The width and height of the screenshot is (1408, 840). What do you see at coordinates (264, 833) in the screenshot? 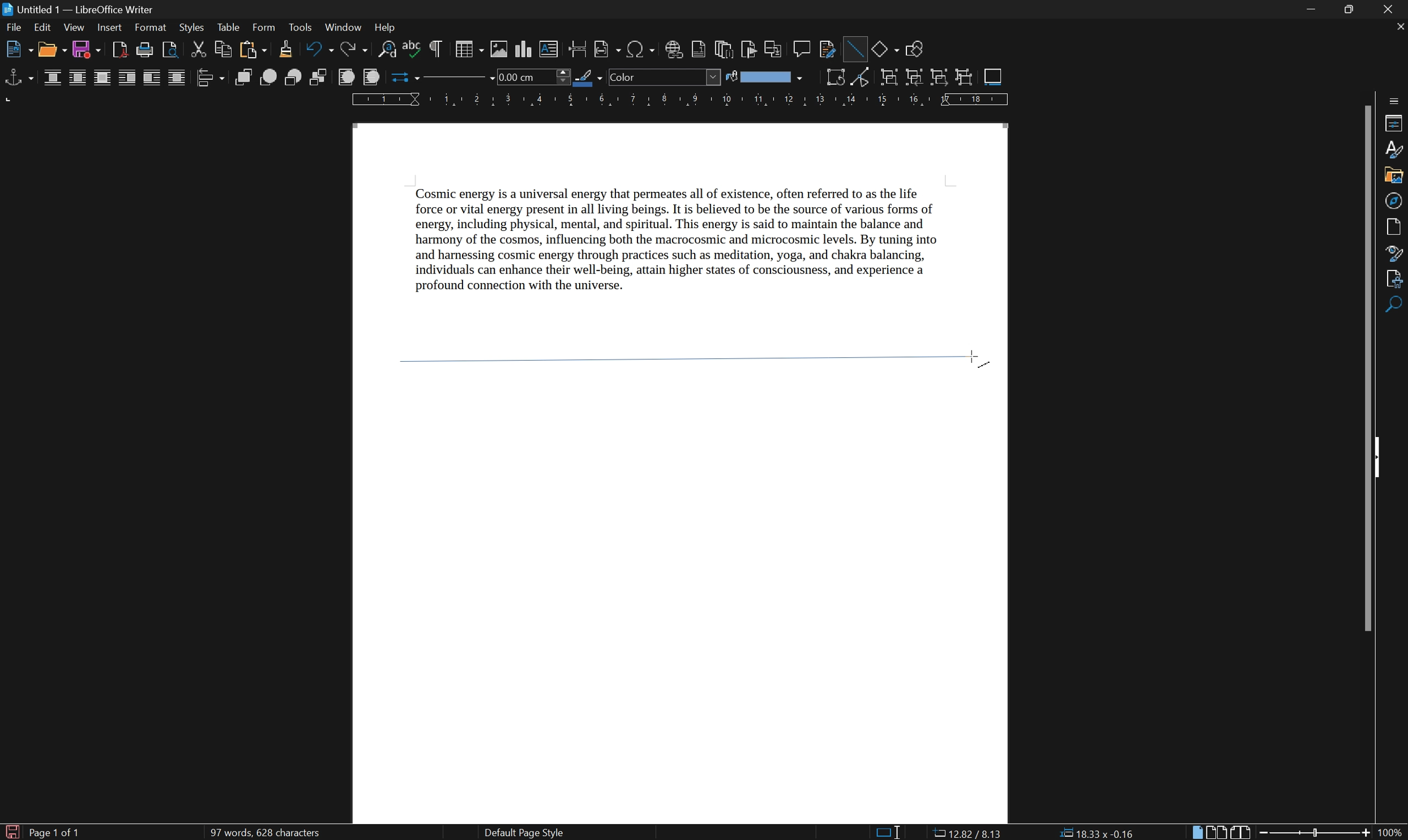
I see `97 words, 628 characters` at bounding box center [264, 833].